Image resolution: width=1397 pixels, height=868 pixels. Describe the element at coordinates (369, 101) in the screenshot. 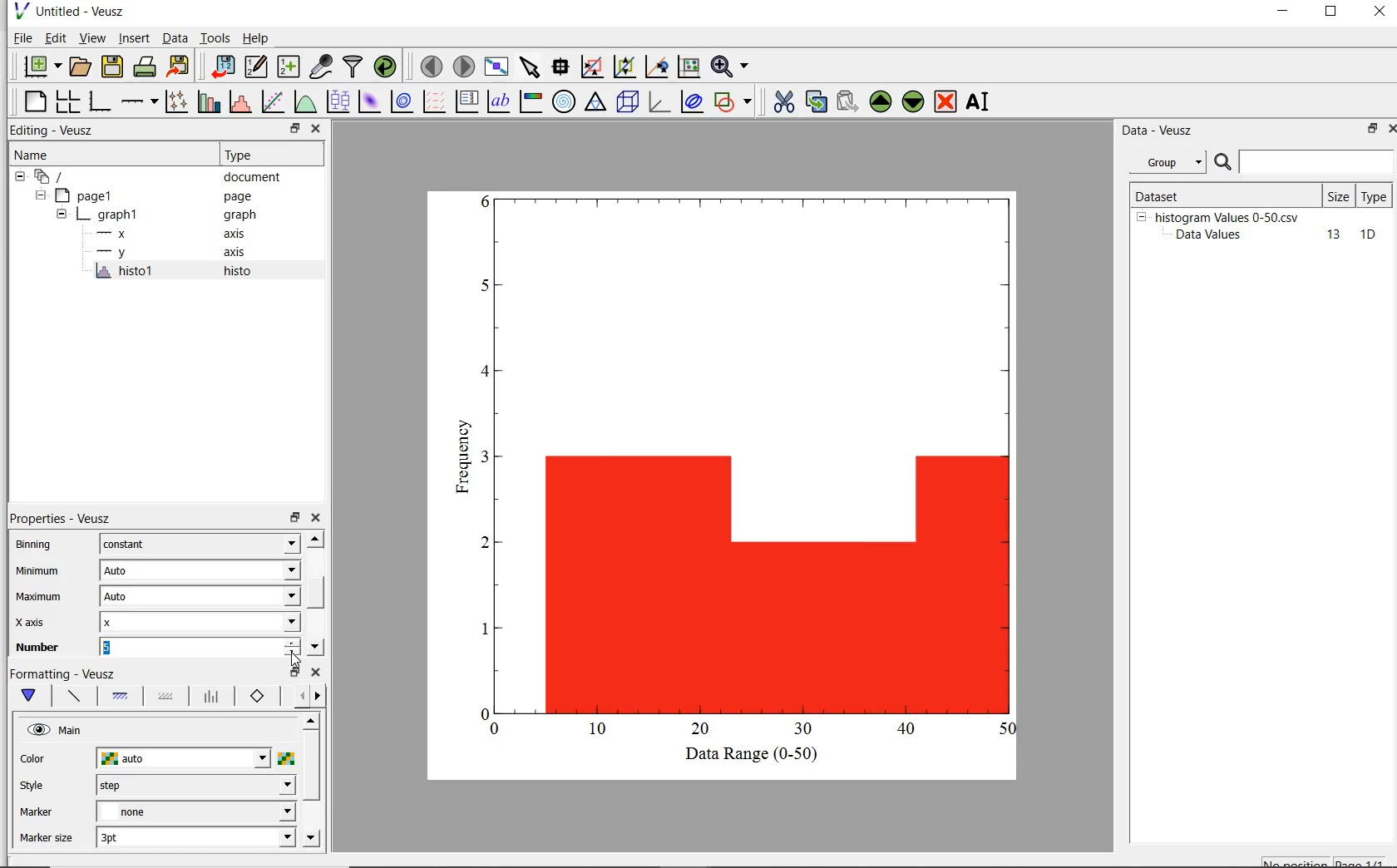

I see `plot 2d dataset as an image` at that location.